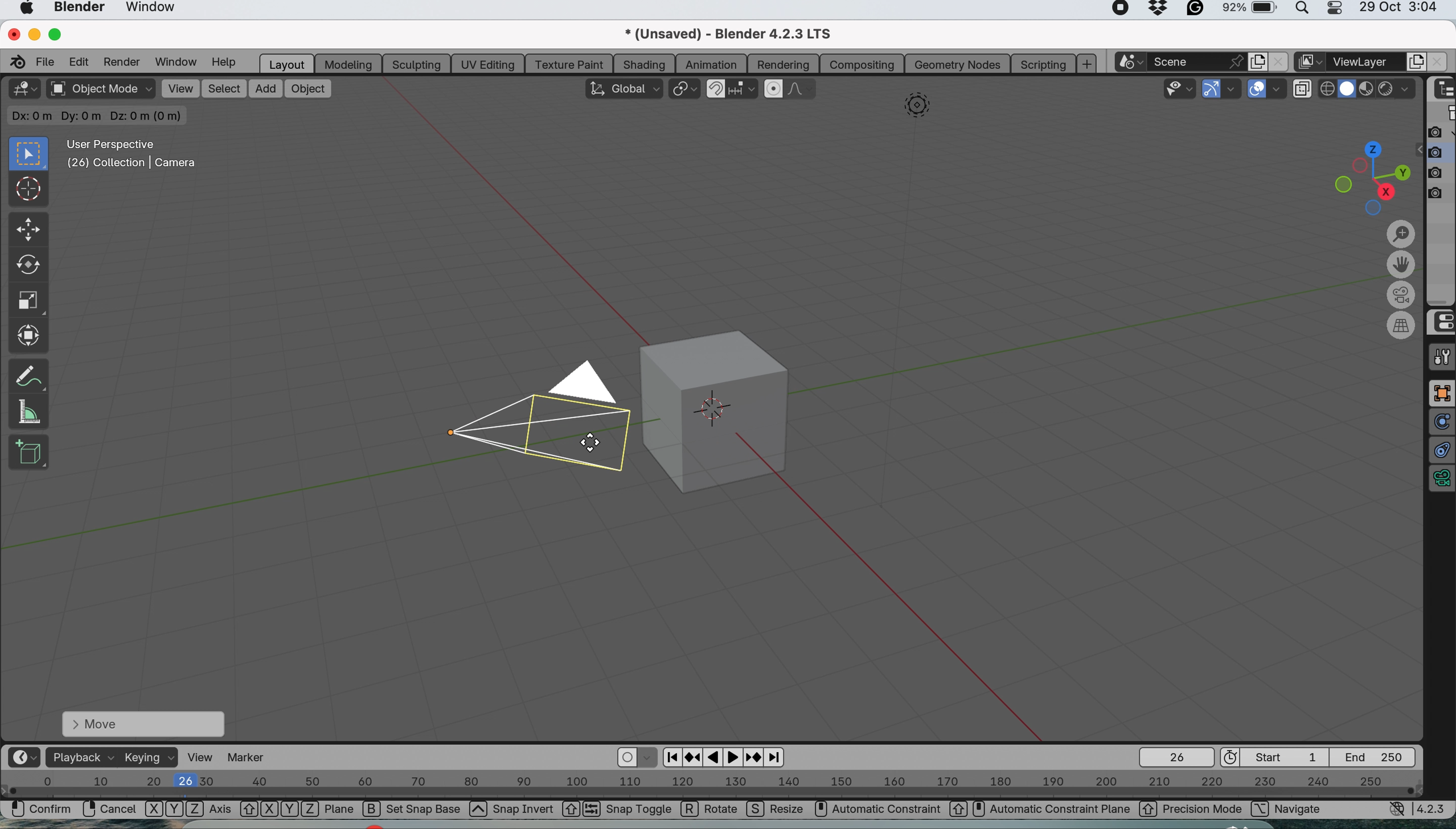 The width and height of the screenshot is (1456, 829). What do you see at coordinates (26, 268) in the screenshot?
I see `rotate` at bounding box center [26, 268].